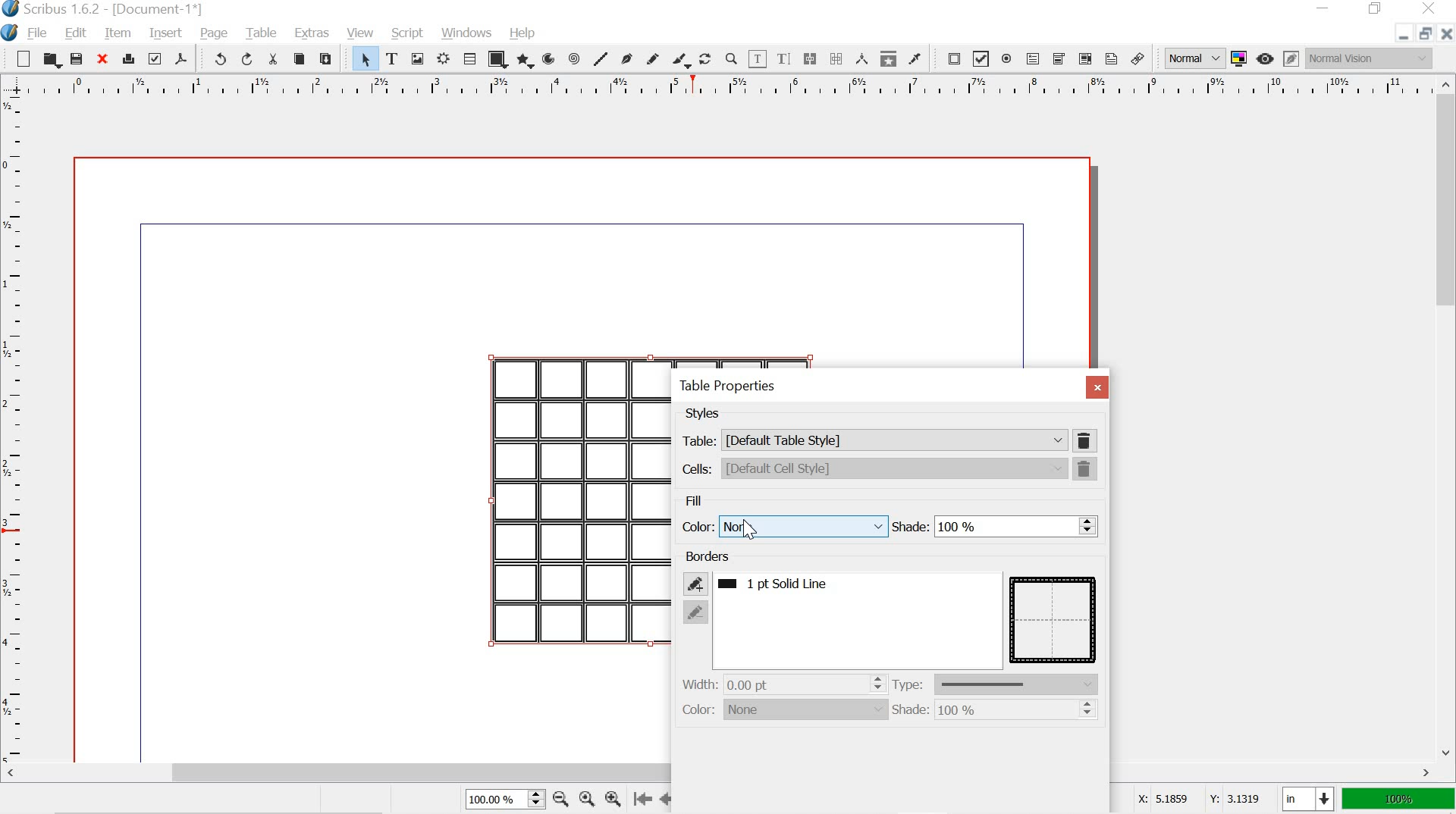 The width and height of the screenshot is (1456, 814). I want to click on pdf list box, so click(1084, 58).